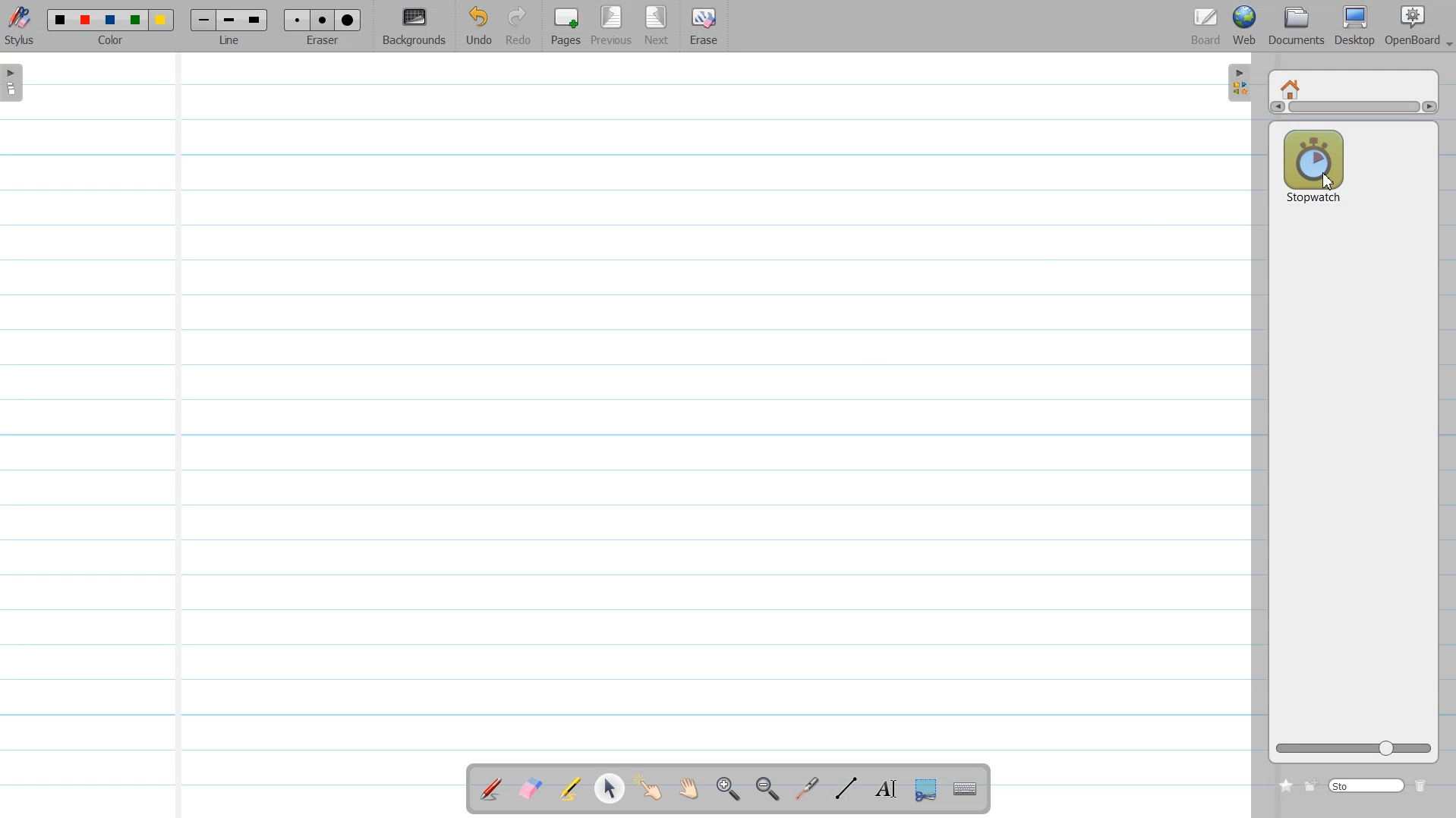 The height and width of the screenshot is (818, 1456). Describe the element at coordinates (1245, 26) in the screenshot. I see `Web` at that location.